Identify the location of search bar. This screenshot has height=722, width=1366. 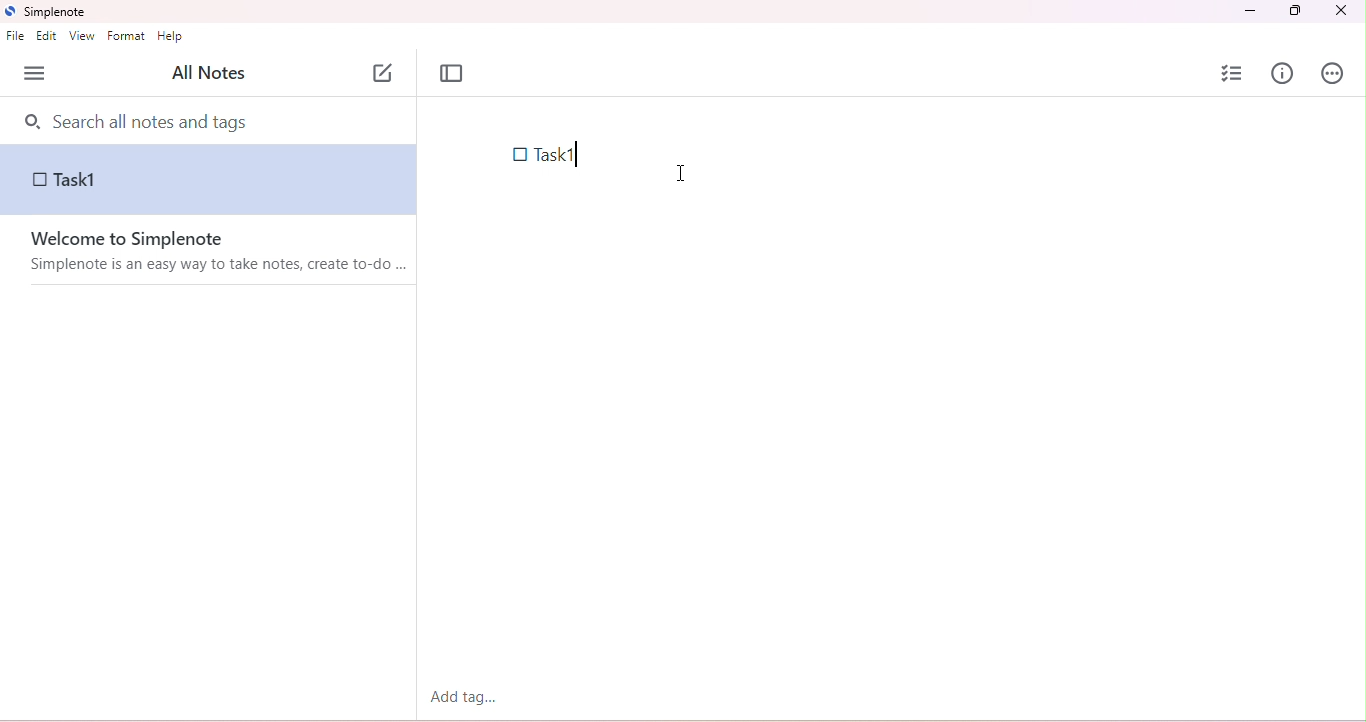
(212, 120).